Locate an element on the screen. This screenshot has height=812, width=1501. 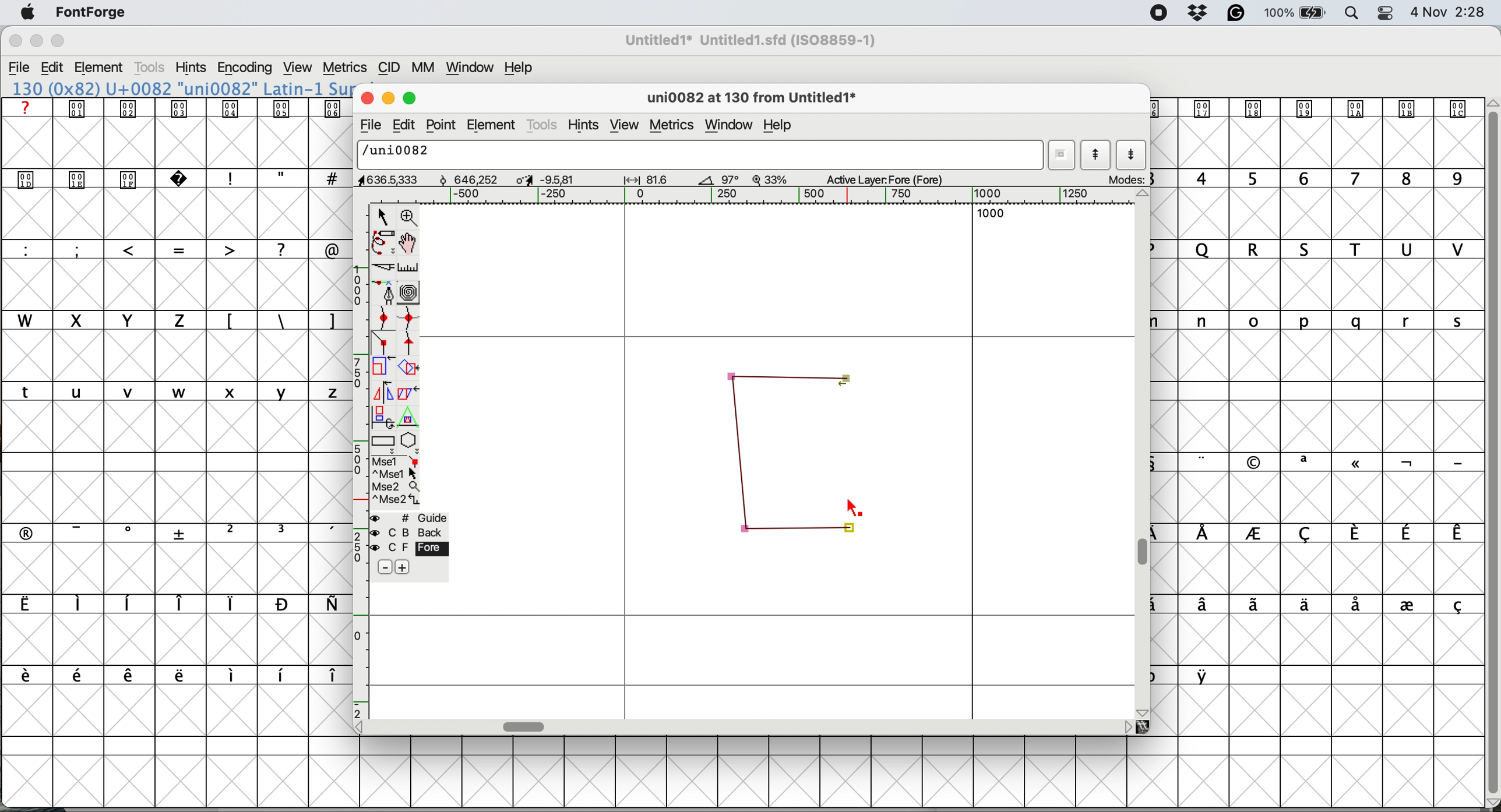
rotate the selection is located at coordinates (409, 369).